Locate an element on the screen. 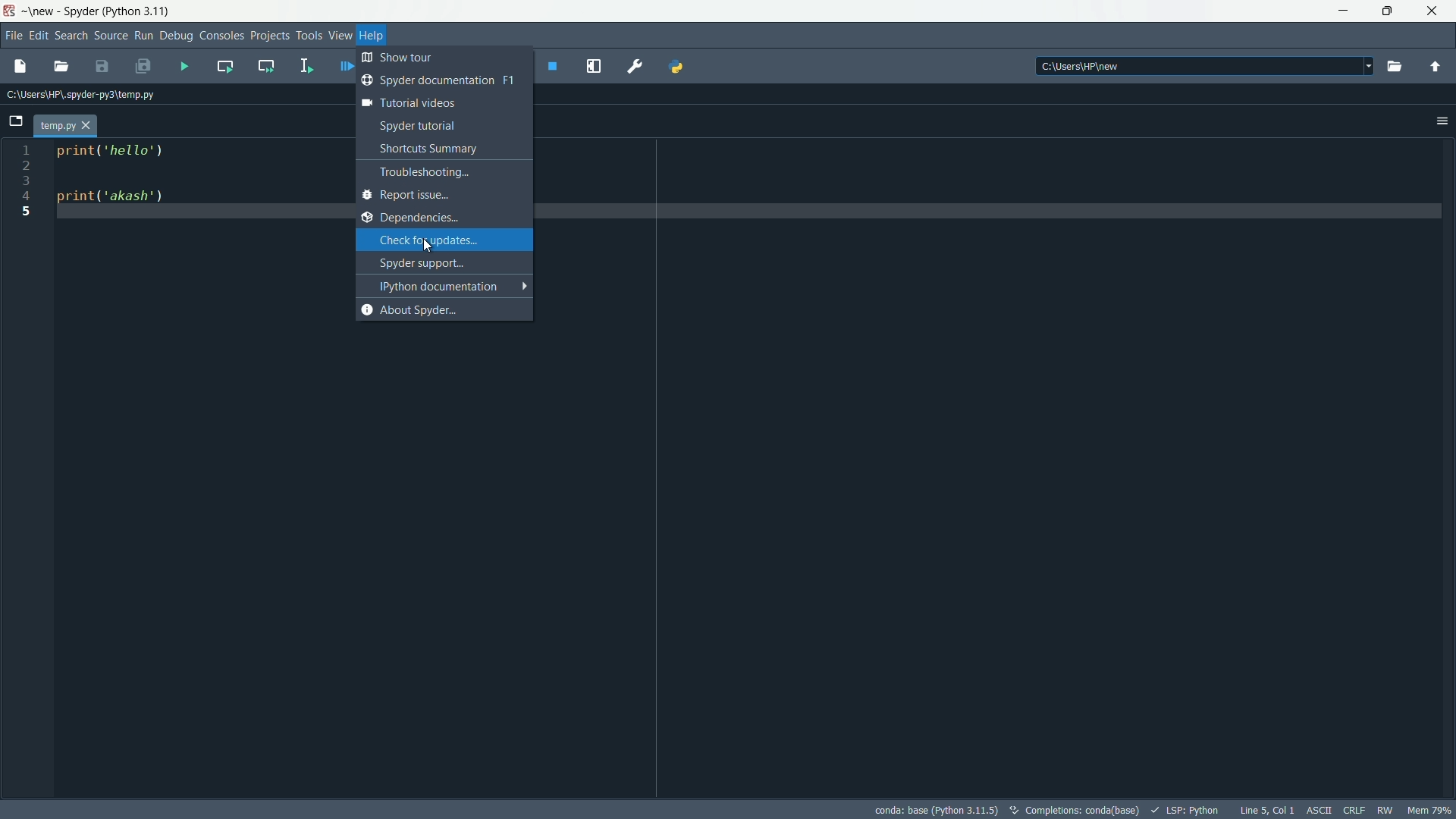 Image resolution: width=1456 pixels, height=819 pixels. options is located at coordinates (1441, 119).